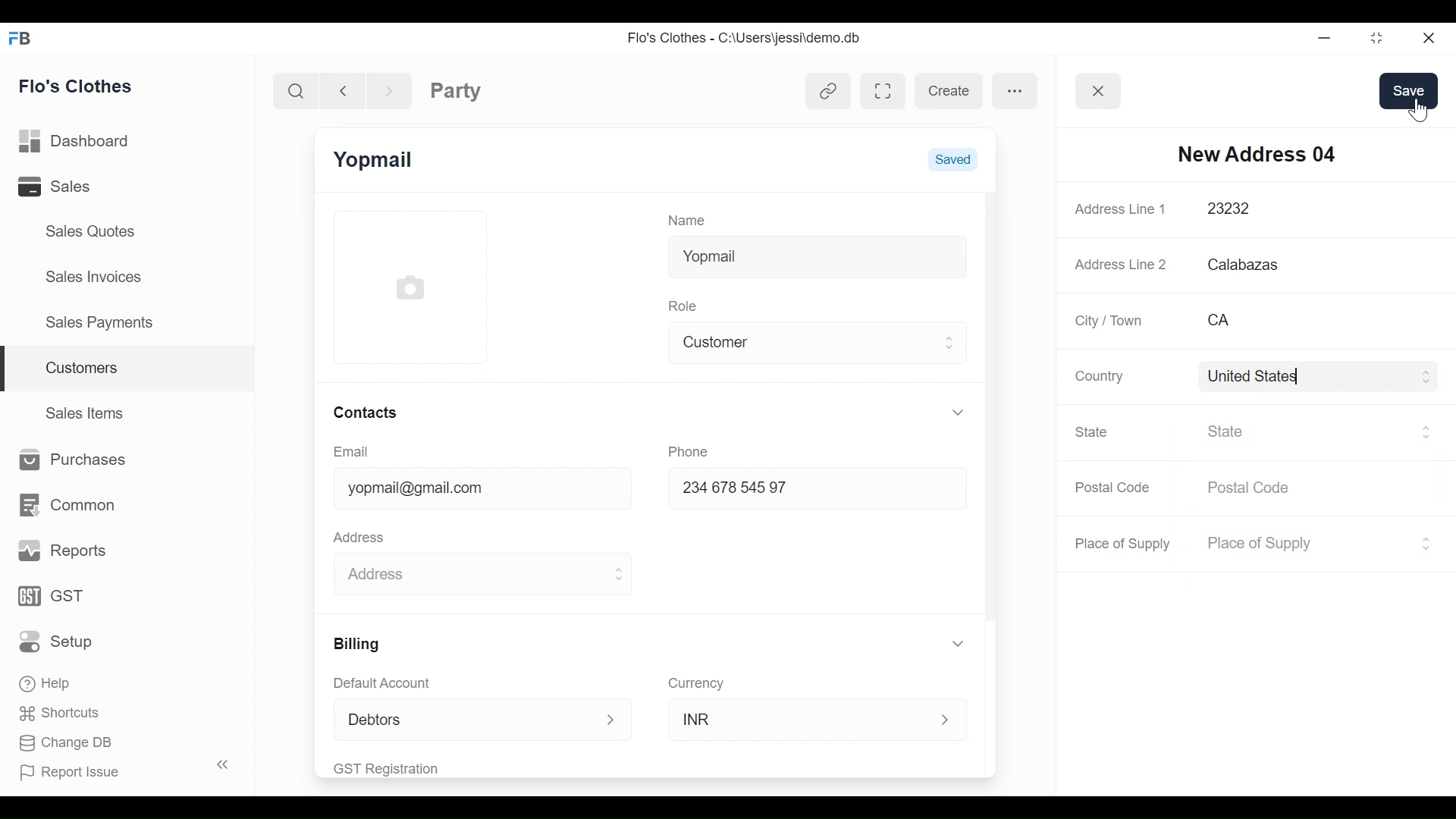 The width and height of the screenshot is (1456, 819). What do you see at coordinates (362, 535) in the screenshot?
I see `Address` at bounding box center [362, 535].